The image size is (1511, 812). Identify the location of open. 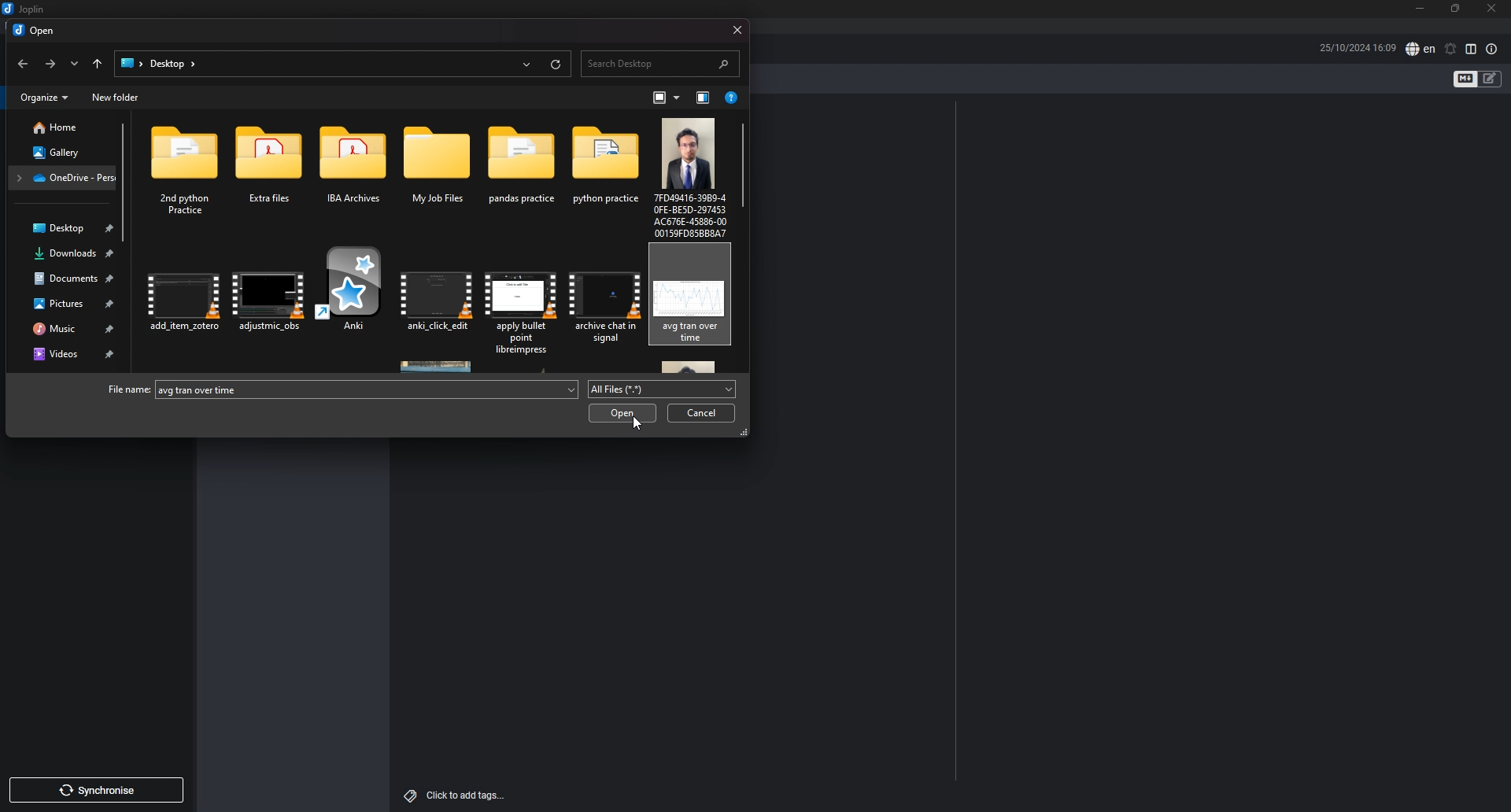
(36, 31).